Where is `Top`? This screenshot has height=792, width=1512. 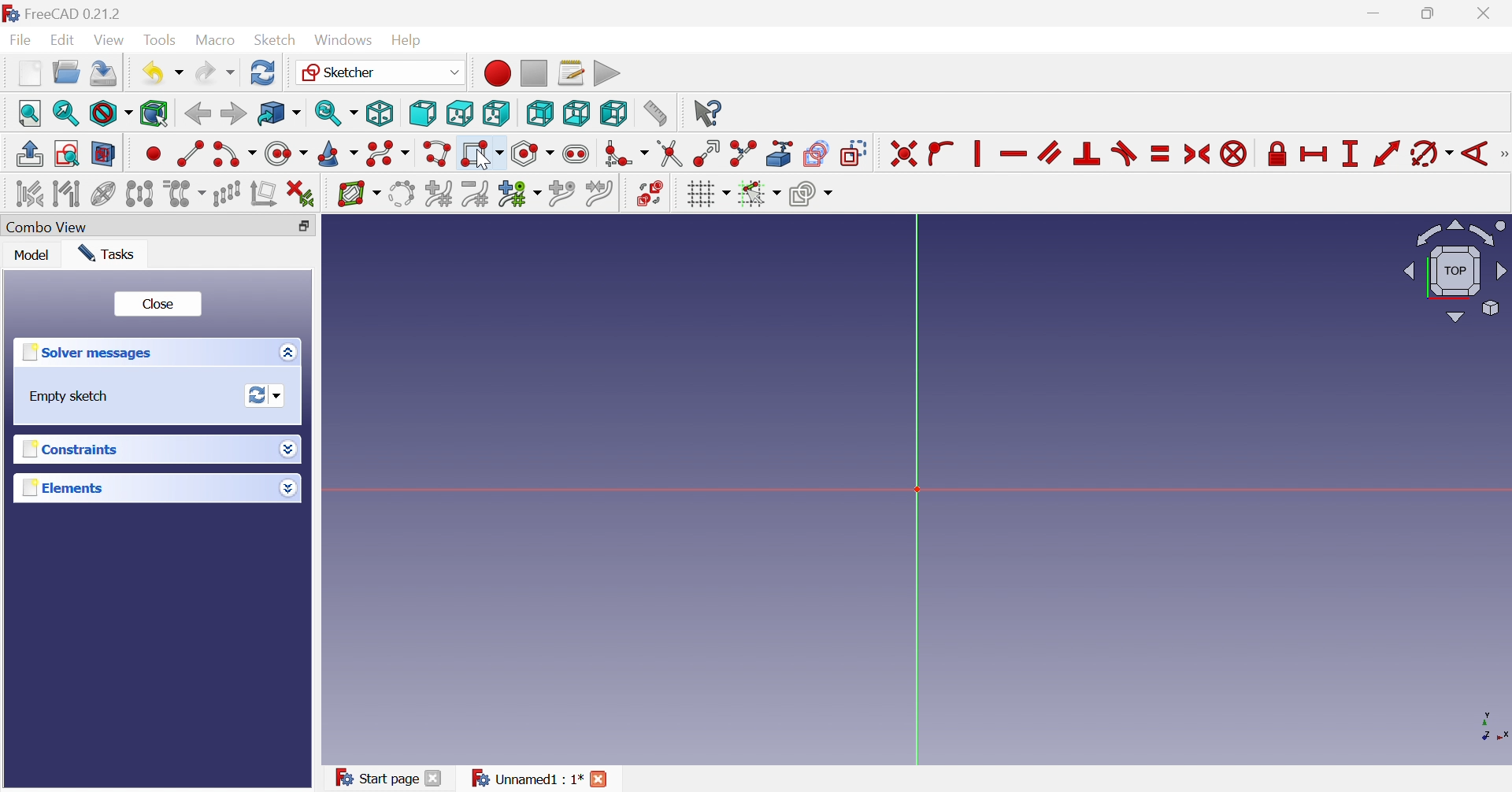 Top is located at coordinates (461, 113).